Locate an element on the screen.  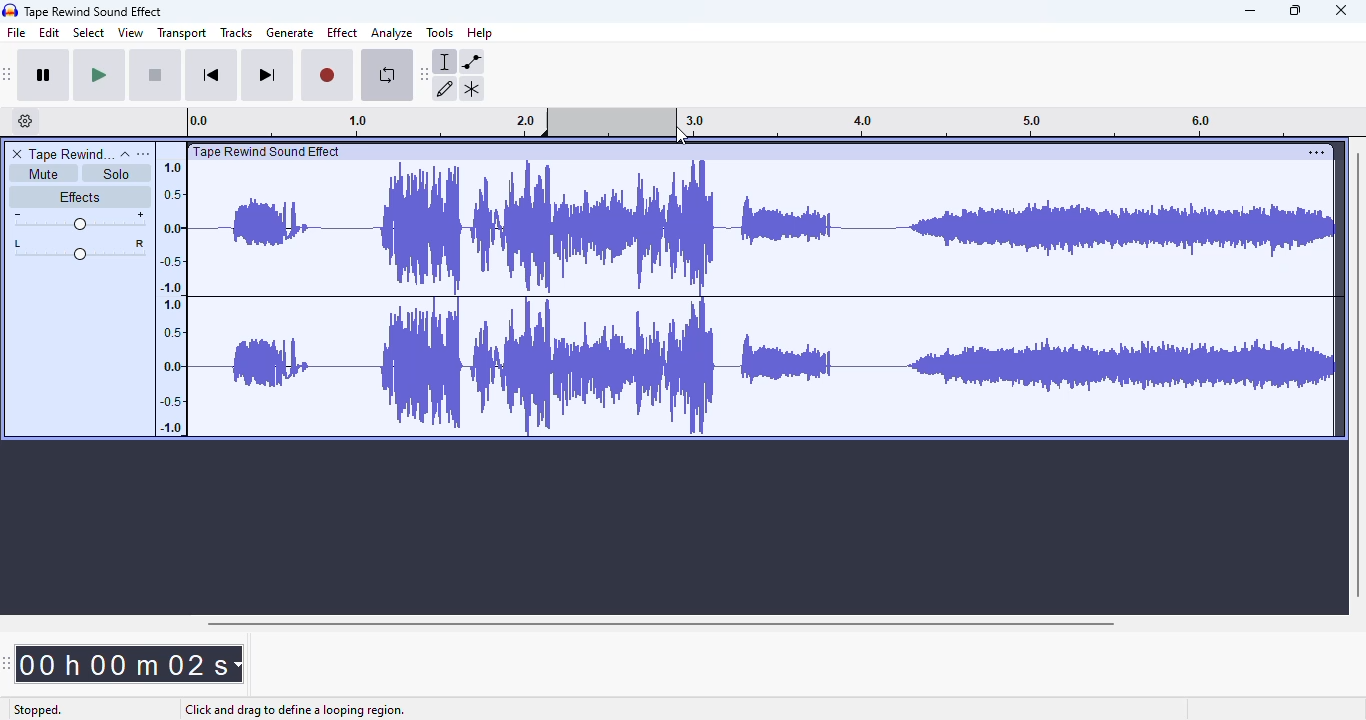
pause is located at coordinates (46, 75).